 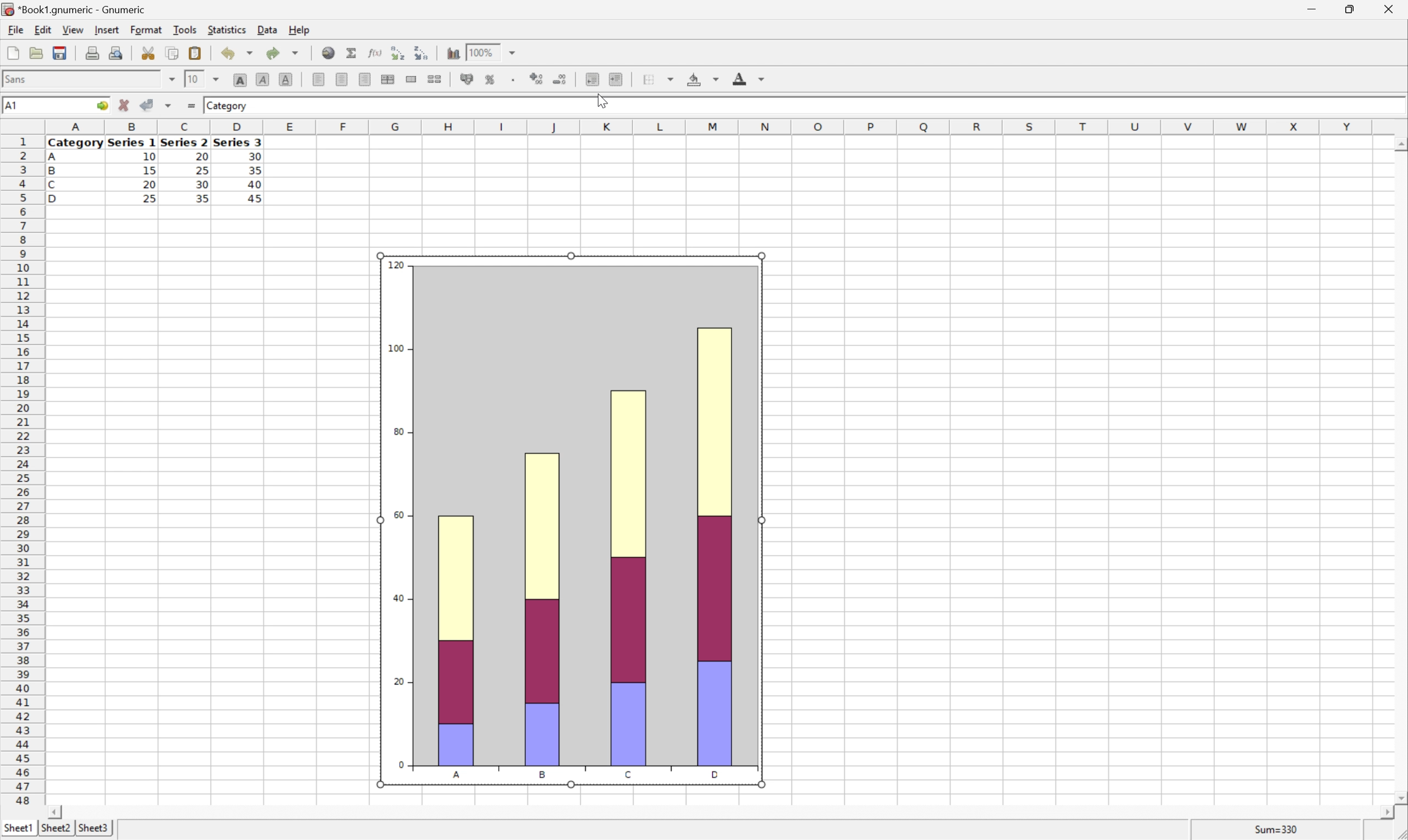 I want to click on Increase indent, and align the contents to the left, so click(x=615, y=80).